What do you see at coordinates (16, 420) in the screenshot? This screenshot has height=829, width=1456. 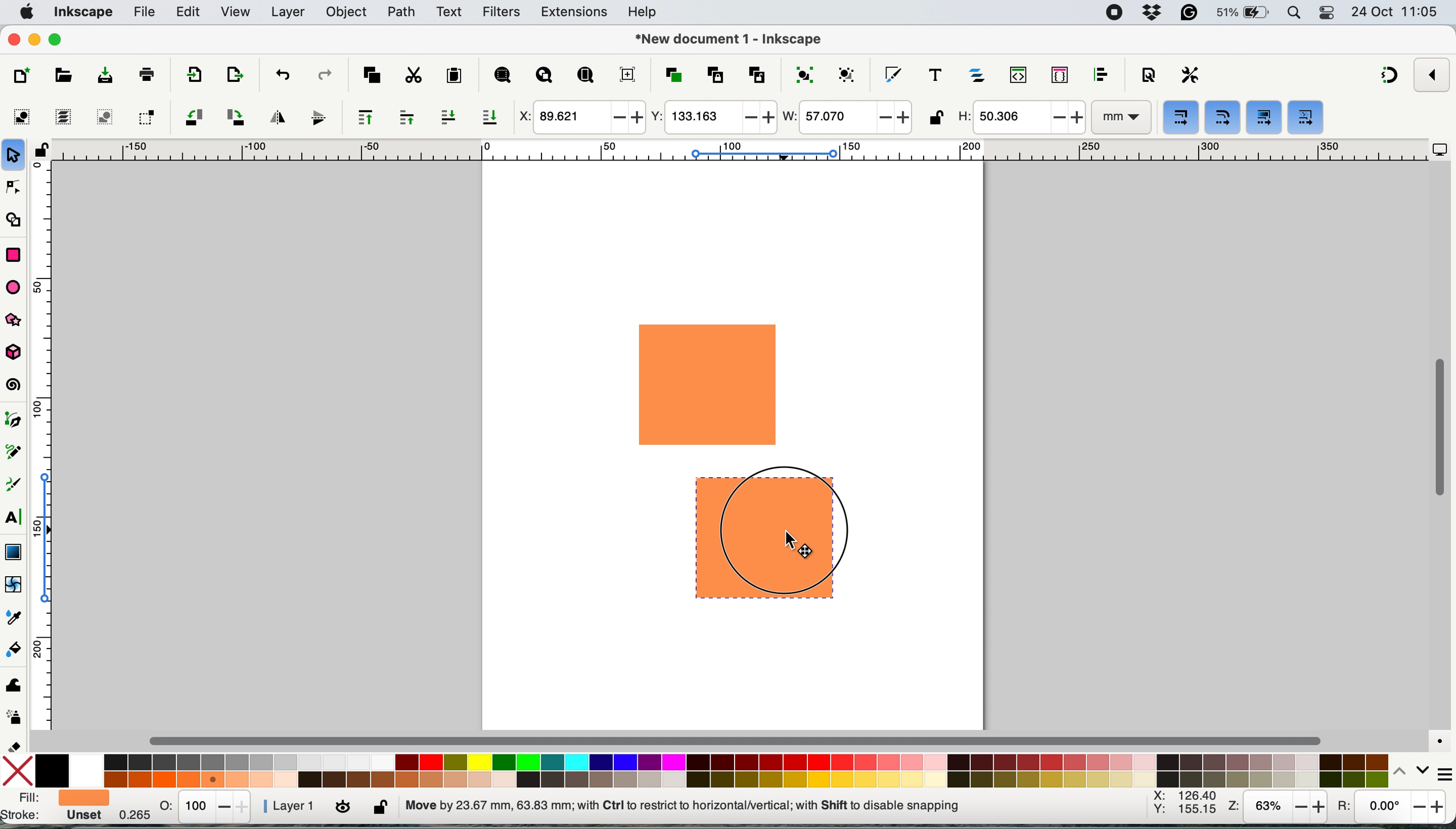 I see `pen tool` at bounding box center [16, 420].